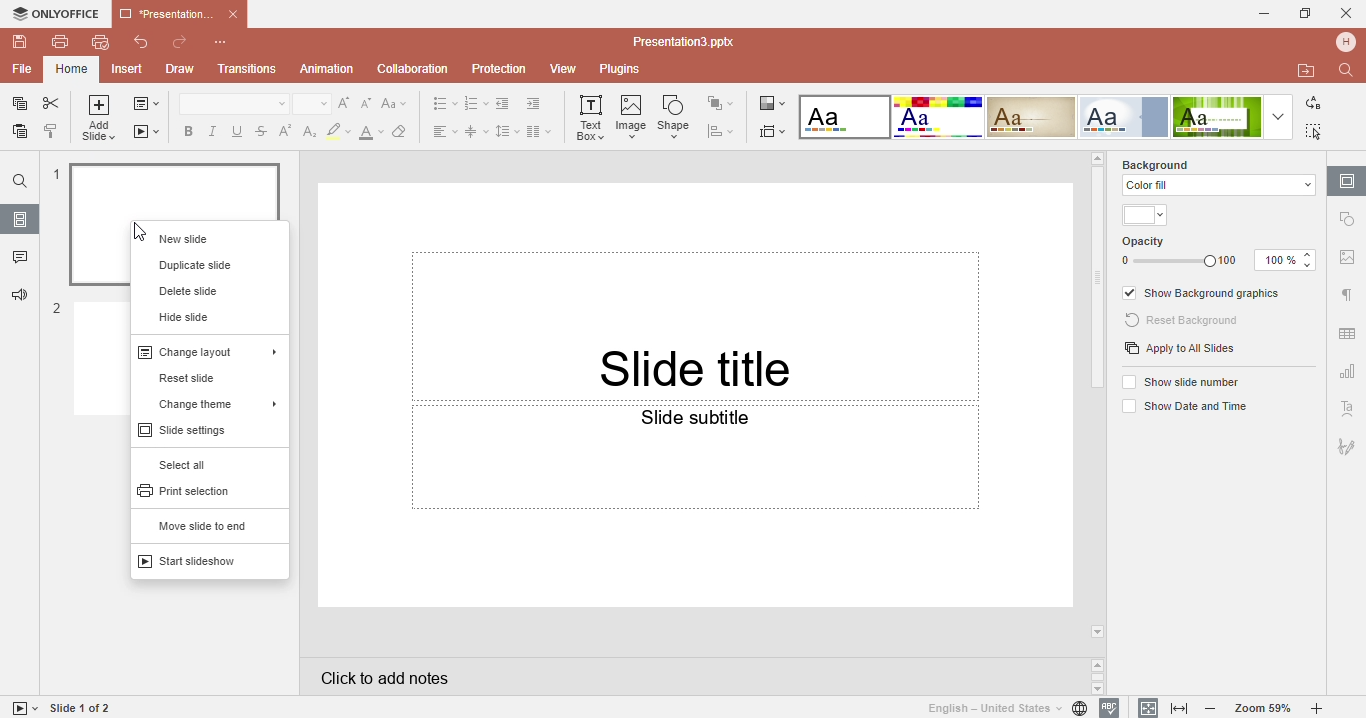  What do you see at coordinates (1348, 41) in the screenshot?
I see `Profile name` at bounding box center [1348, 41].